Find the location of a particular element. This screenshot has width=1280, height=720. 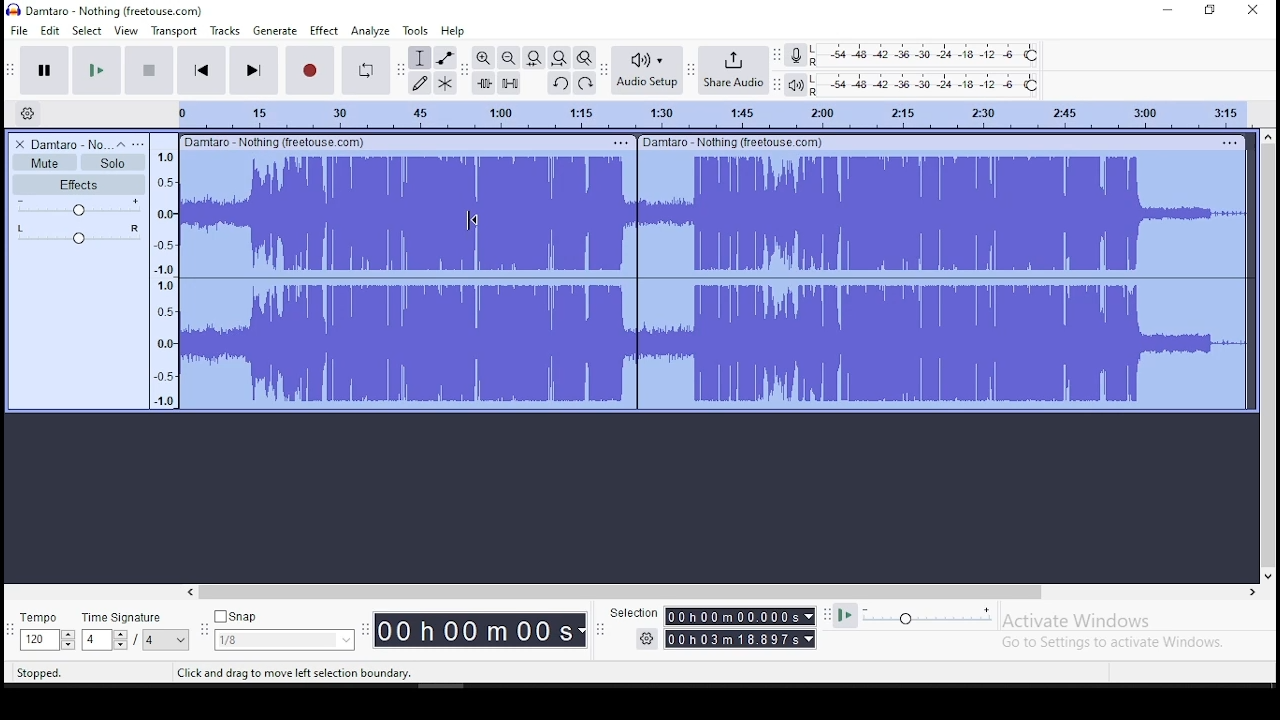

selection tool is located at coordinates (419, 58).